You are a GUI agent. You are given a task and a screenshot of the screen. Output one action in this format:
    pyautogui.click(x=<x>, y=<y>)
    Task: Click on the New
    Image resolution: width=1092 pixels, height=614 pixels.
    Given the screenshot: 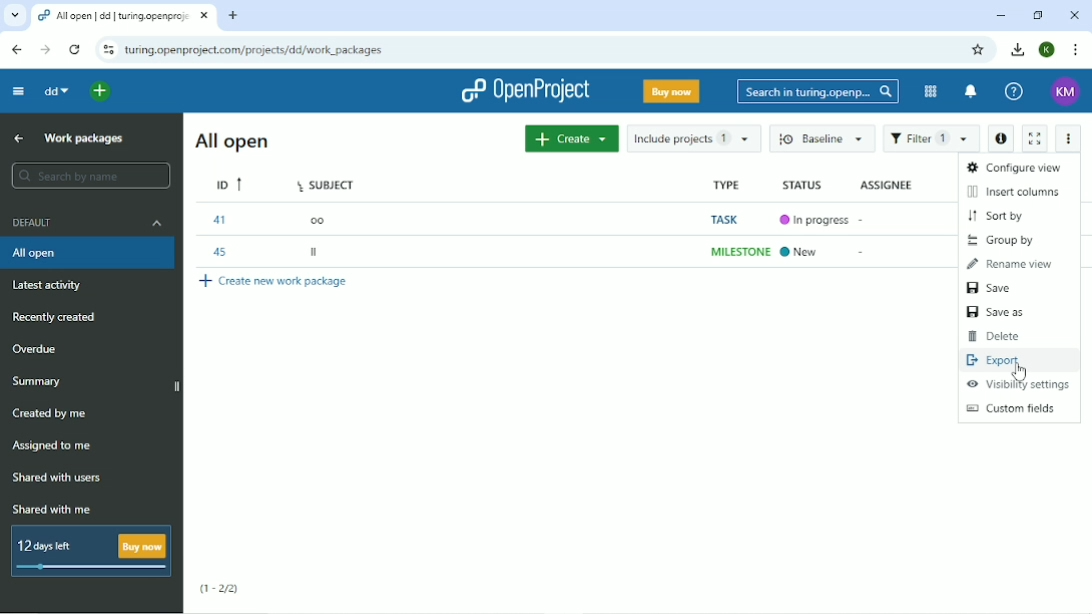 What is the action you would take?
    pyautogui.click(x=803, y=252)
    